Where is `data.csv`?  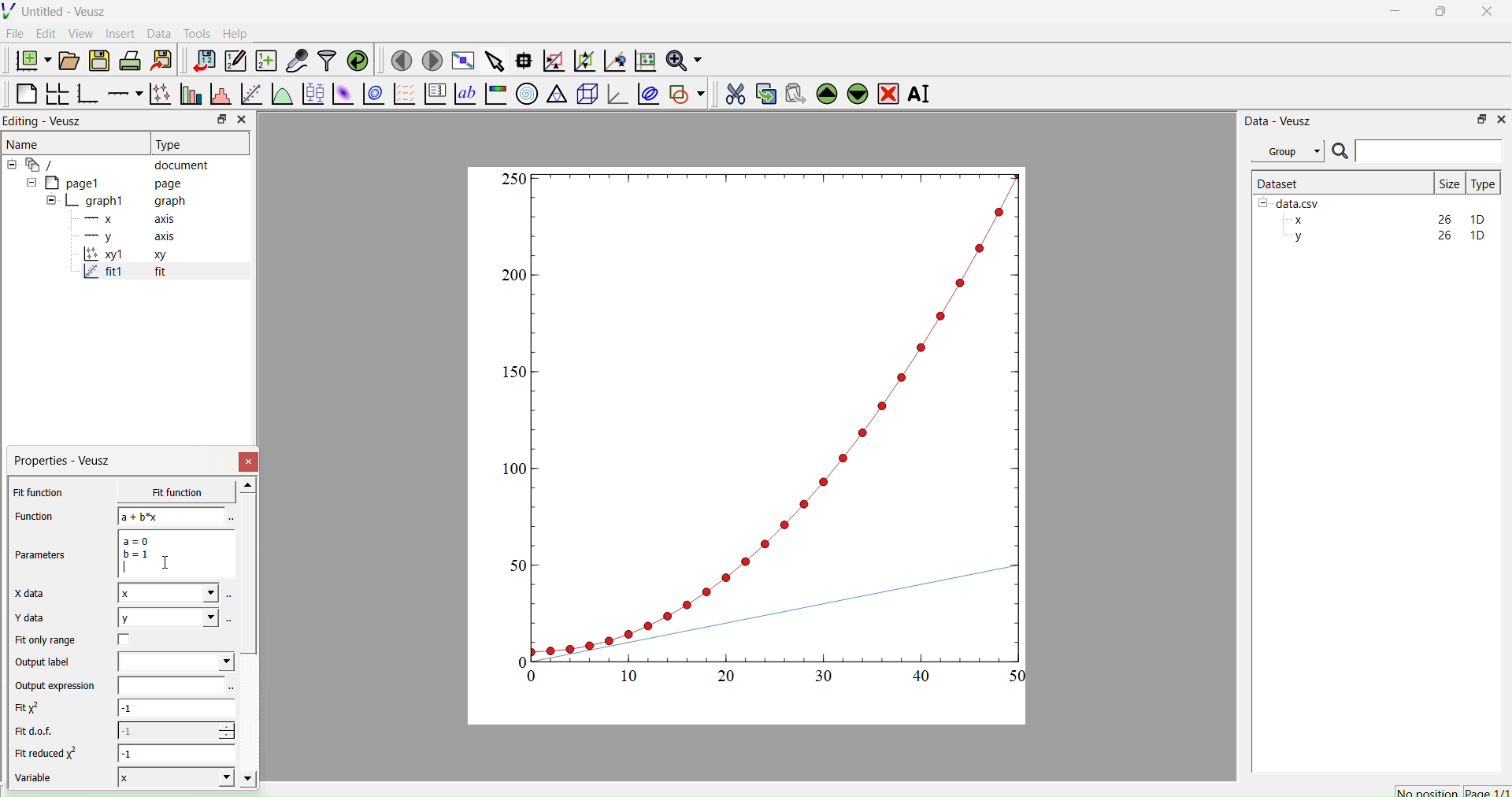
data.csv is located at coordinates (1291, 202).